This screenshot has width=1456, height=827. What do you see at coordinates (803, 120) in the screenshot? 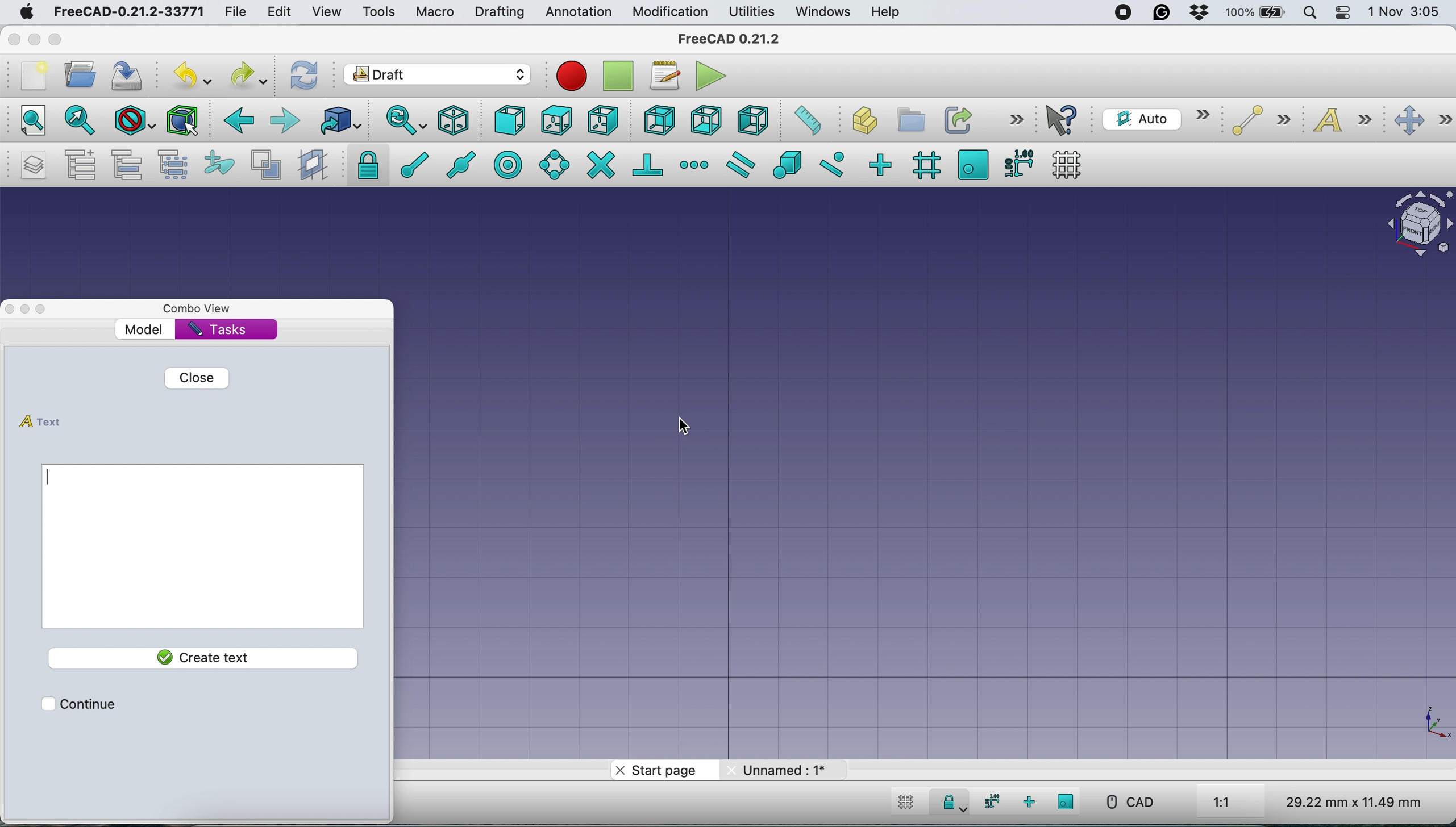
I see `measure distance` at bounding box center [803, 120].